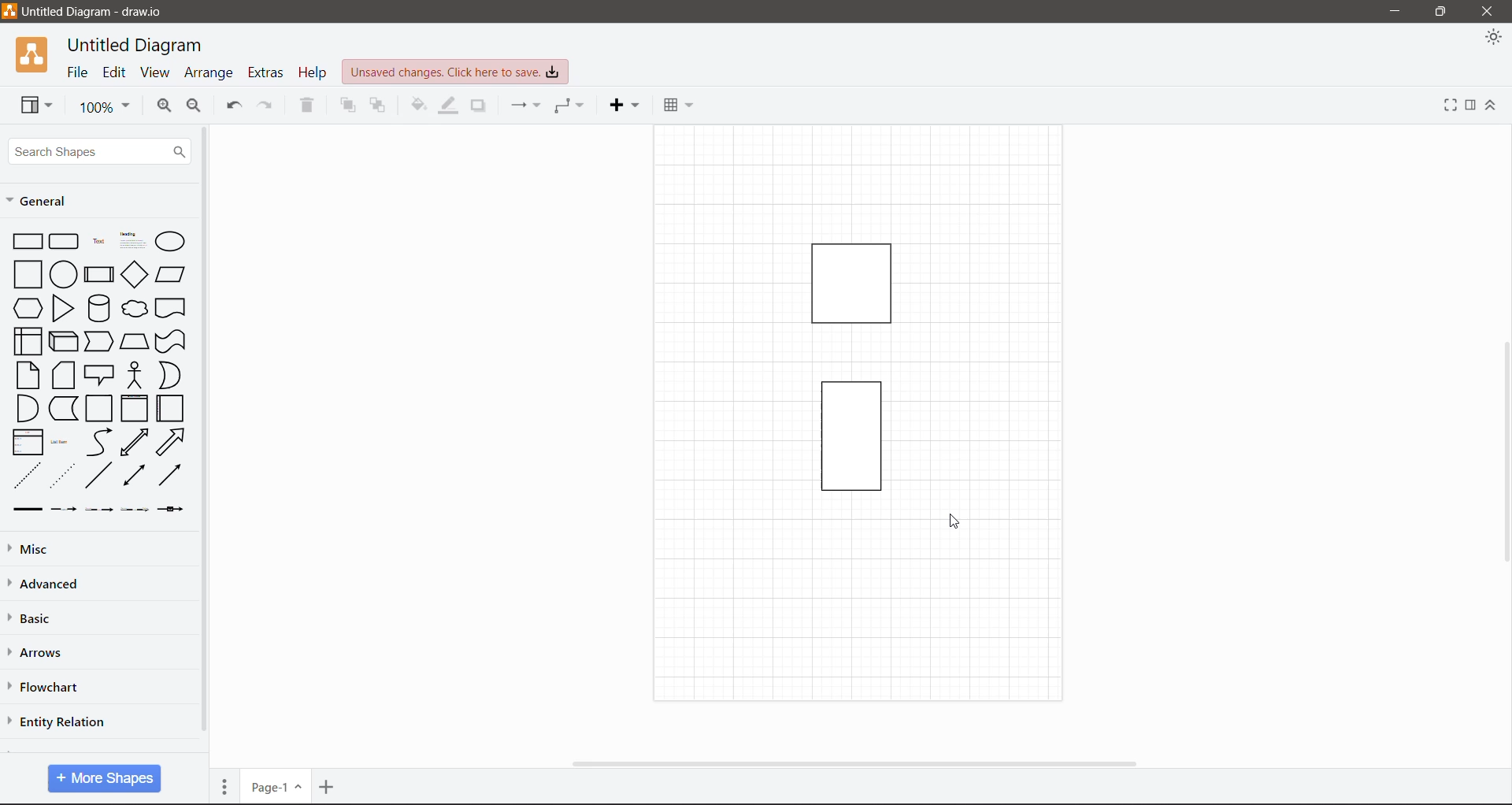  What do you see at coordinates (1471, 106) in the screenshot?
I see `Format` at bounding box center [1471, 106].